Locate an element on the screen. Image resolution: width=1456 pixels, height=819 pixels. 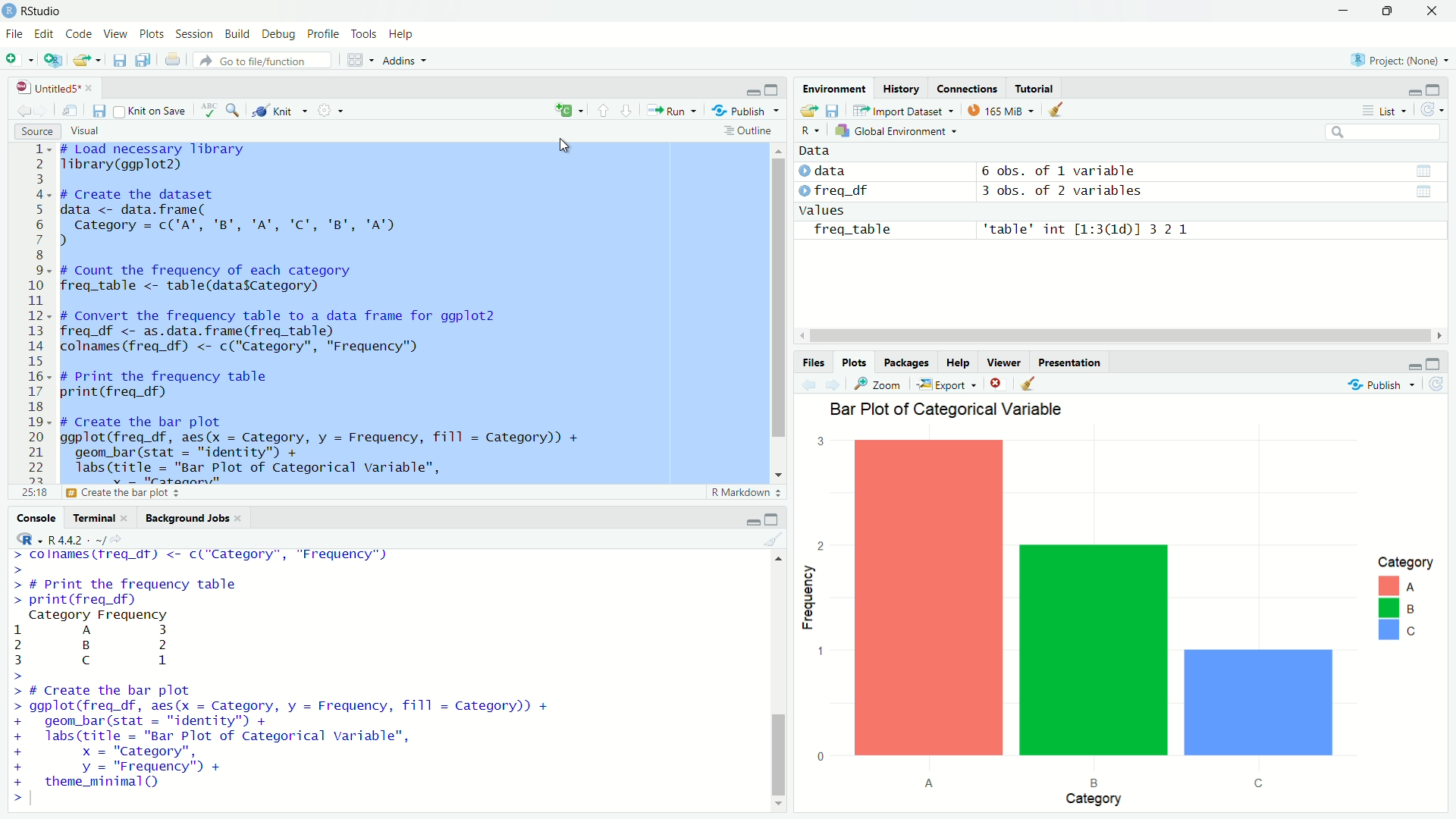
tools is located at coordinates (366, 34).